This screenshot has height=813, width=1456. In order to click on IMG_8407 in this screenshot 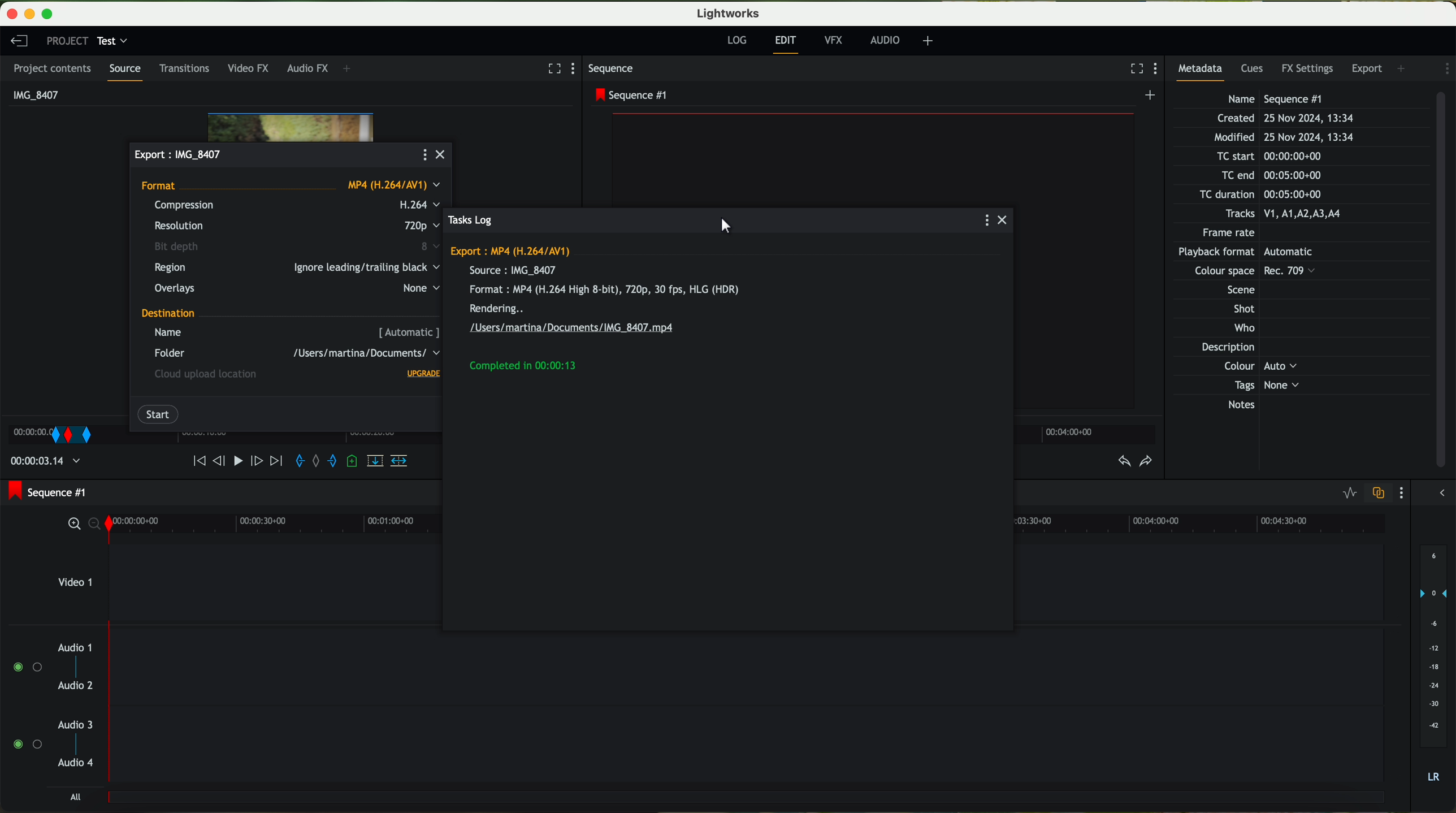, I will do `click(33, 94)`.